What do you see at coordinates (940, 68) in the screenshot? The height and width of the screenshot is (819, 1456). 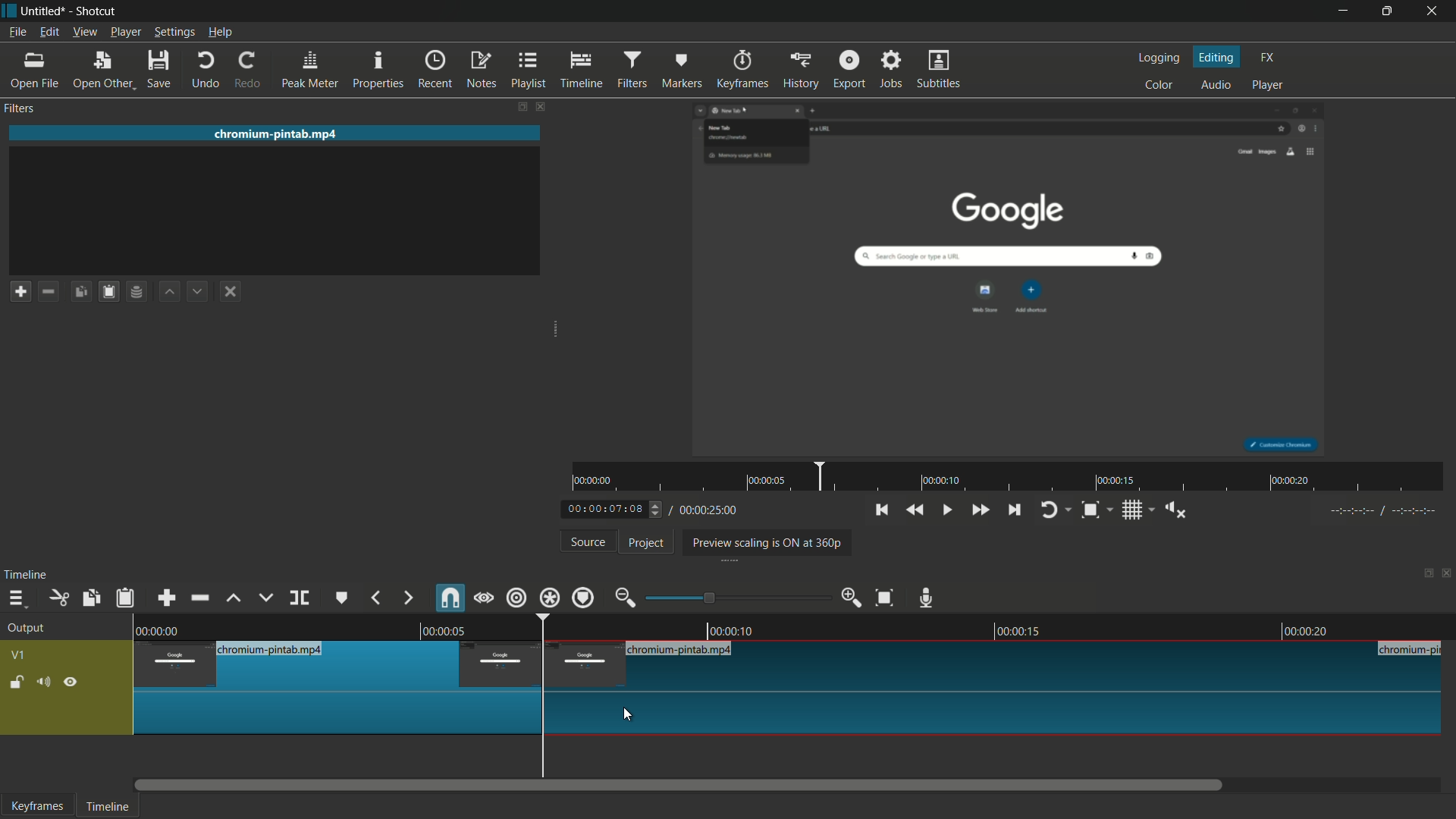 I see `subtitles` at bounding box center [940, 68].